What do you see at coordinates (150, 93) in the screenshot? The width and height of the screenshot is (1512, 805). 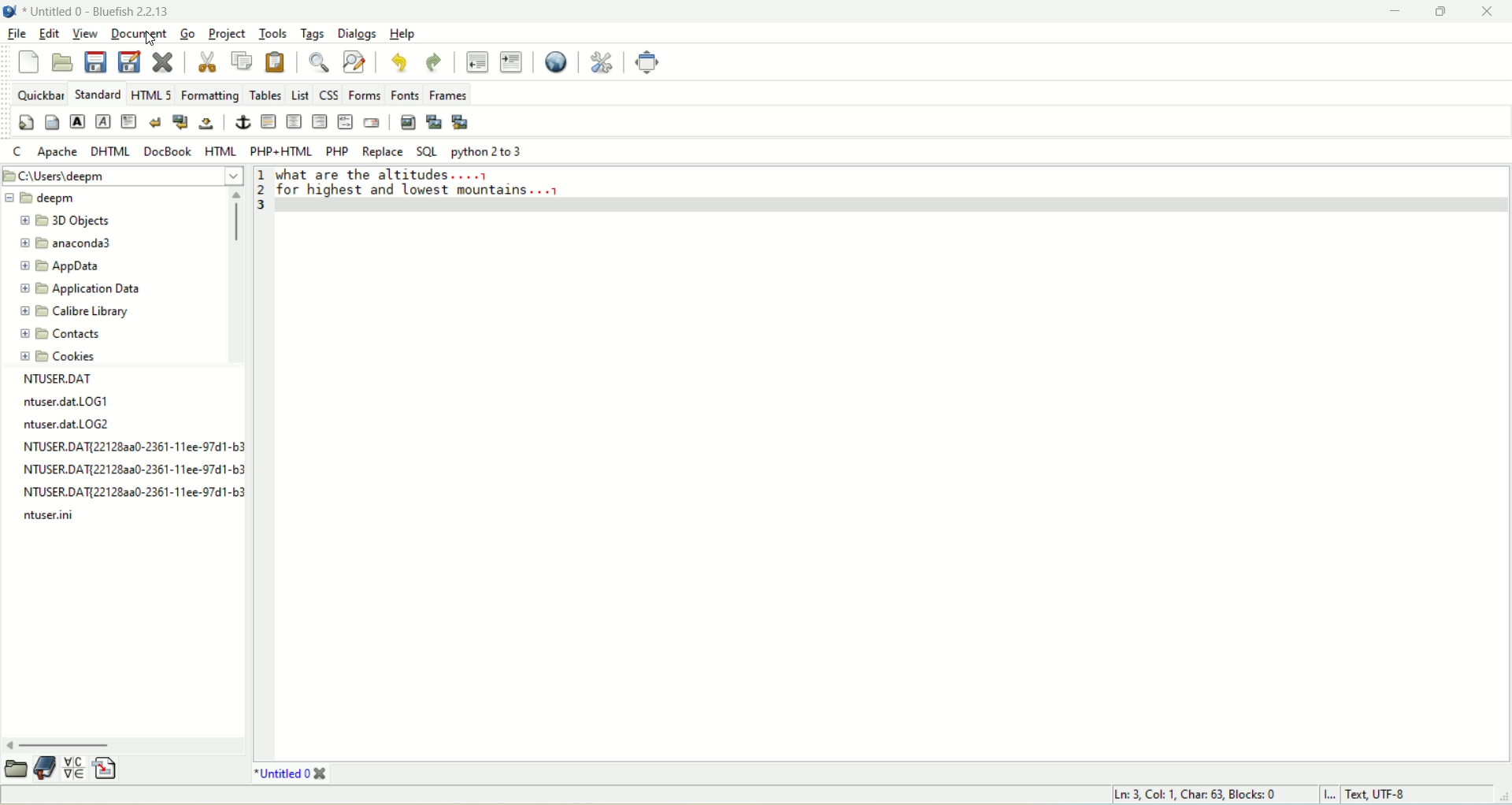 I see `HTML 5` at bounding box center [150, 93].